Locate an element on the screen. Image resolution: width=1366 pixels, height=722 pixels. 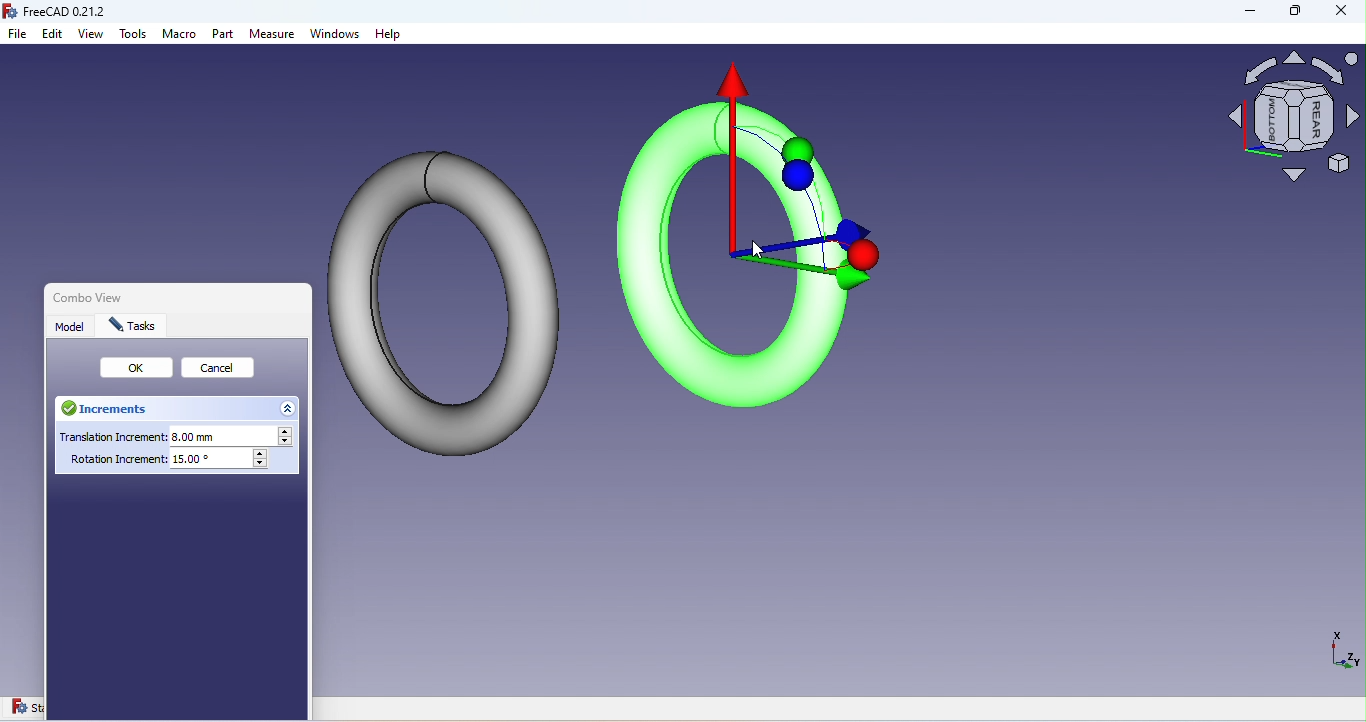
Translation increment is located at coordinates (163, 436).